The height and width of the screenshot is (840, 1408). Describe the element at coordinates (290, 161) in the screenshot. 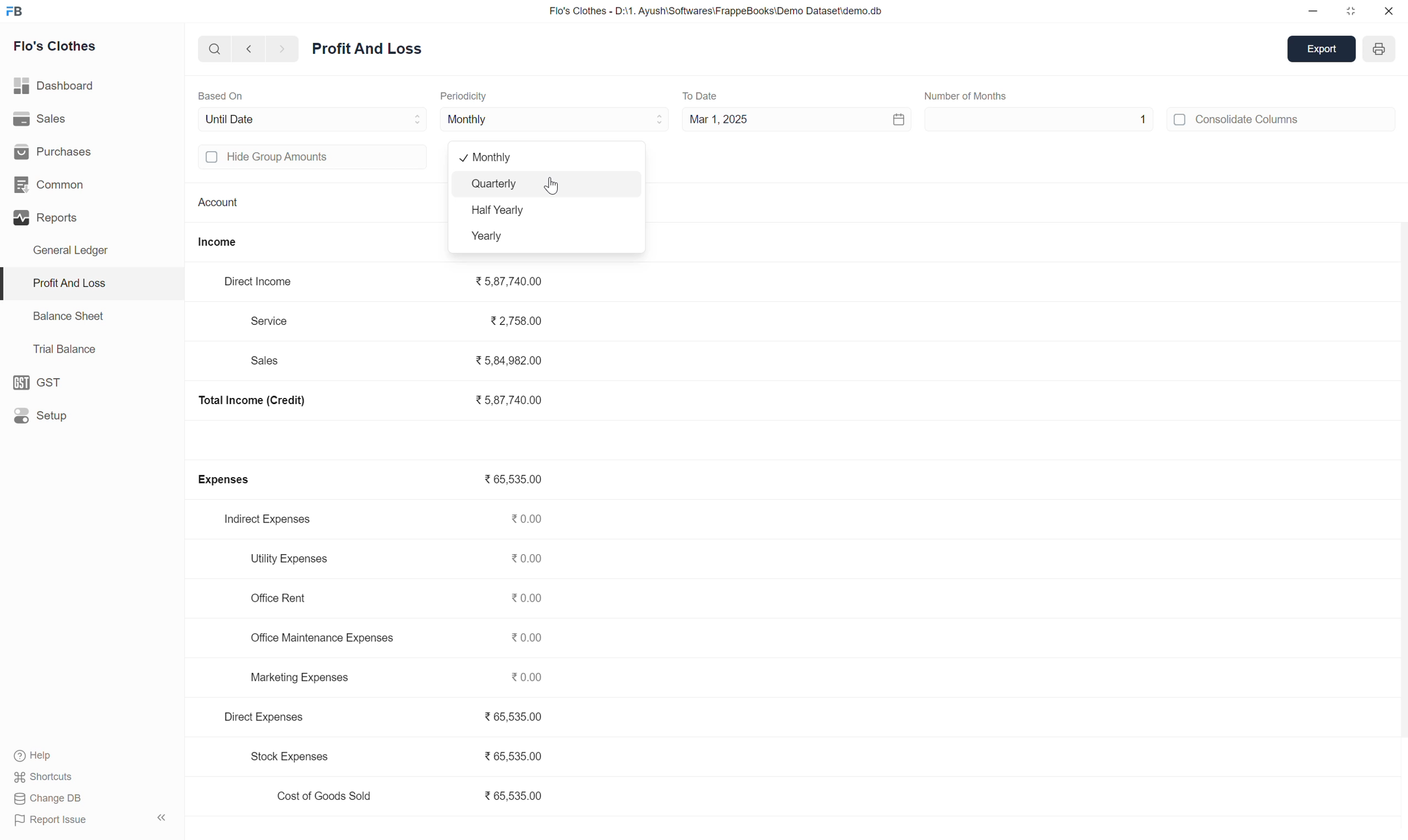

I see `Hide Group Amounts` at that location.